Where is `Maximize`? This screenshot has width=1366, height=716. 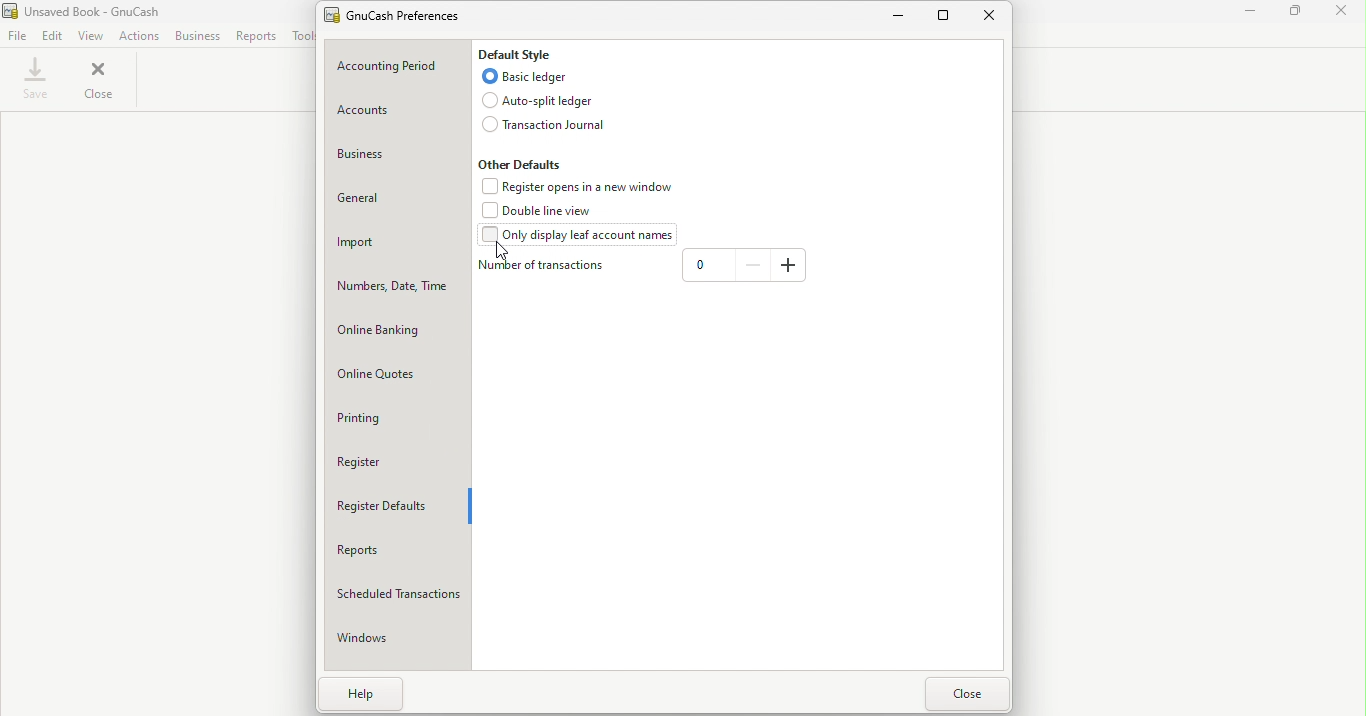 Maximize is located at coordinates (1301, 13).